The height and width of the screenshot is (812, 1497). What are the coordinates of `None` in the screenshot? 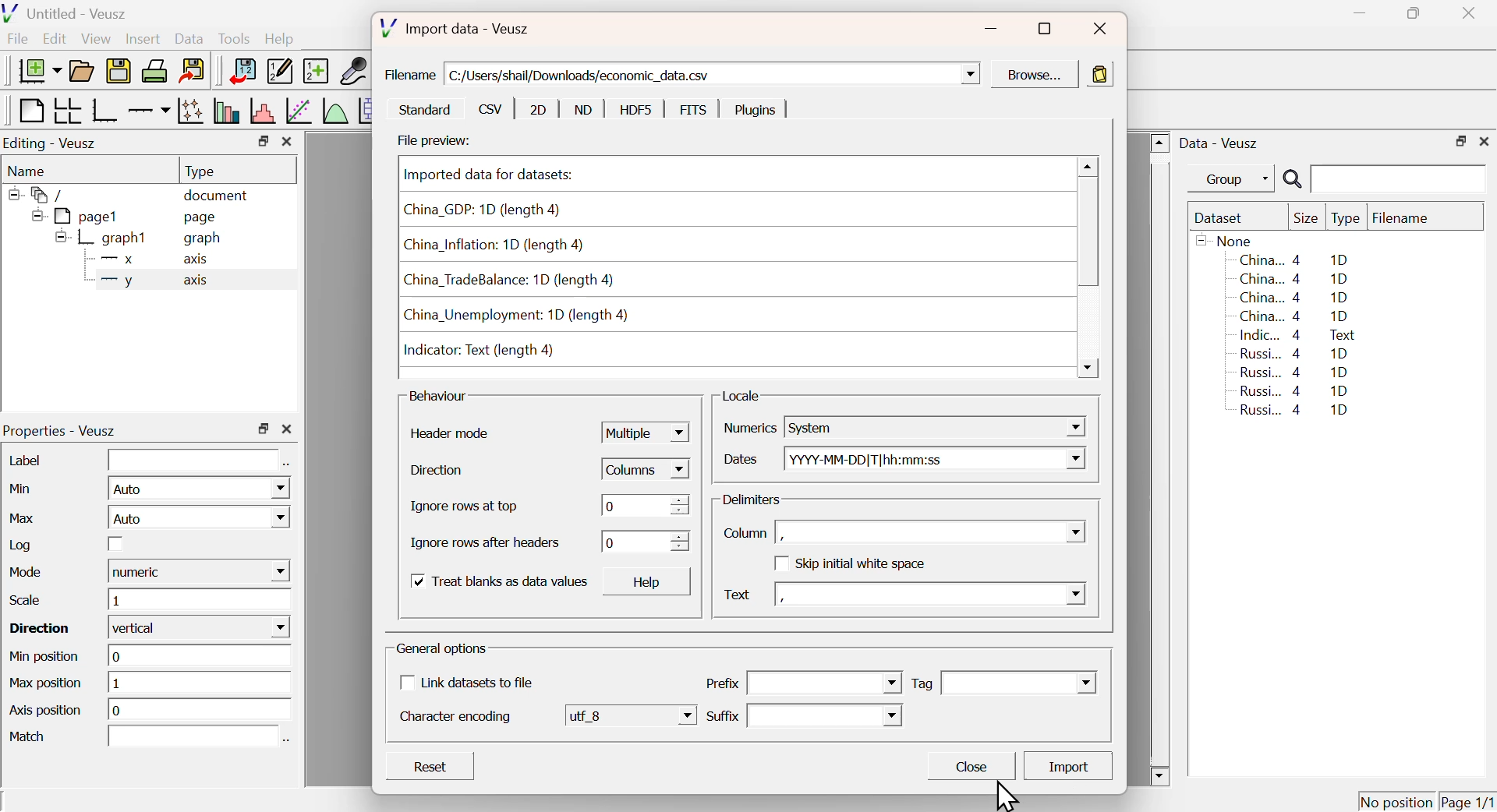 It's located at (1226, 240).